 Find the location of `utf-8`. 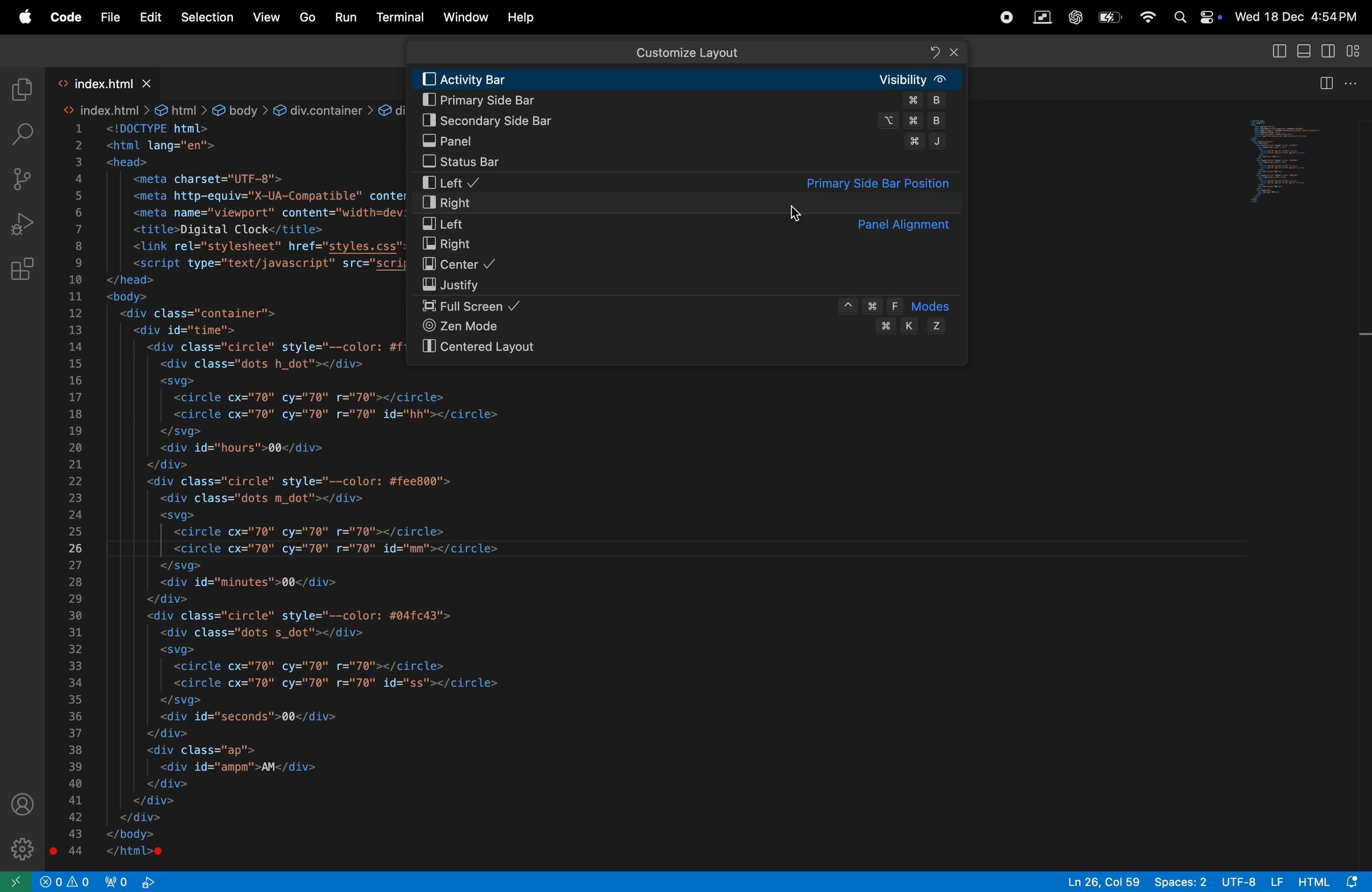

utf-8 is located at coordinates (1252, 881).